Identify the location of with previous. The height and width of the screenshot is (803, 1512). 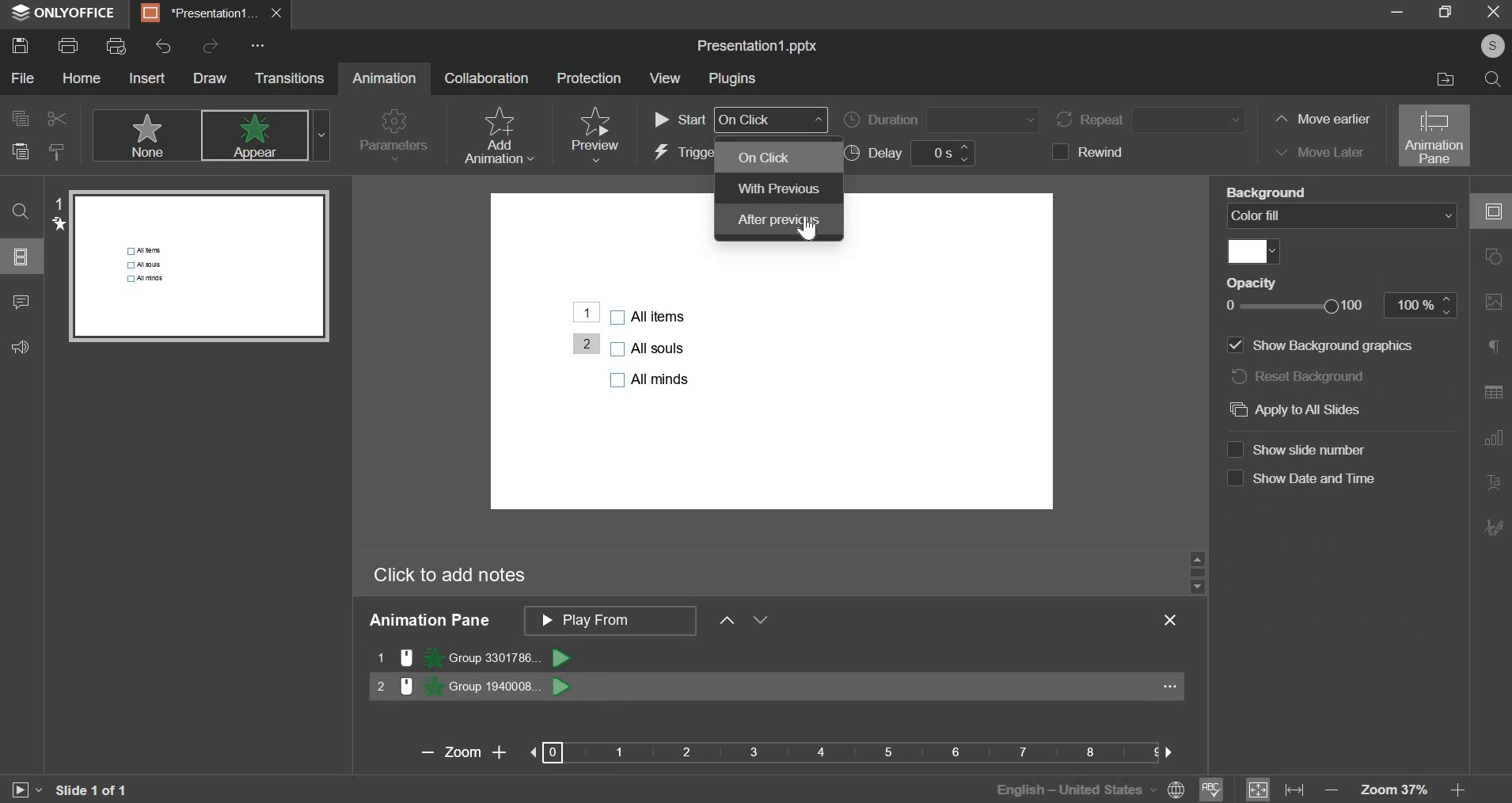
(777, 188).